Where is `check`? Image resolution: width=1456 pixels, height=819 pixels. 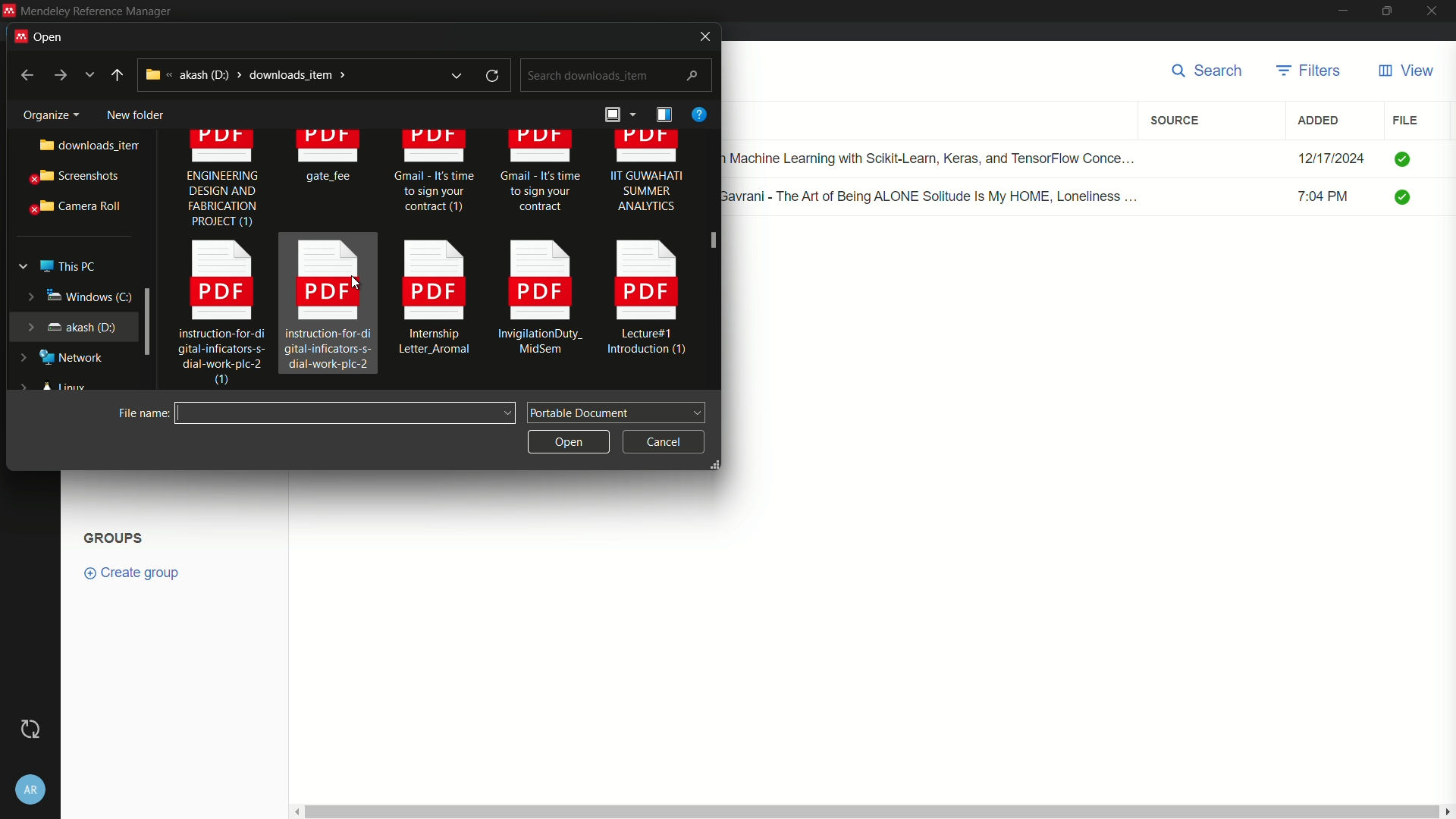
check is located at coordinates (1407, 199).